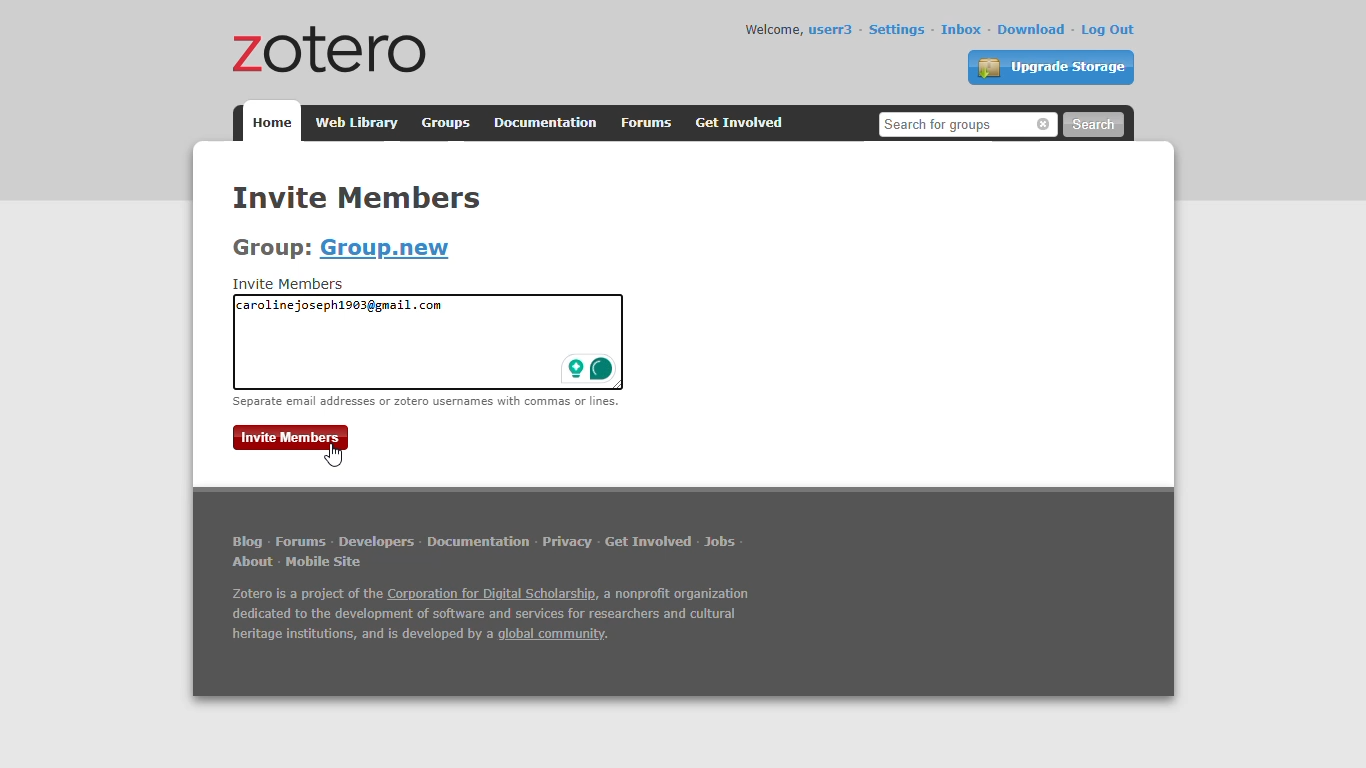 Image resolution: width=1366 pixels, height=768 pixels. I want to click on userr3, so click(830, 30).